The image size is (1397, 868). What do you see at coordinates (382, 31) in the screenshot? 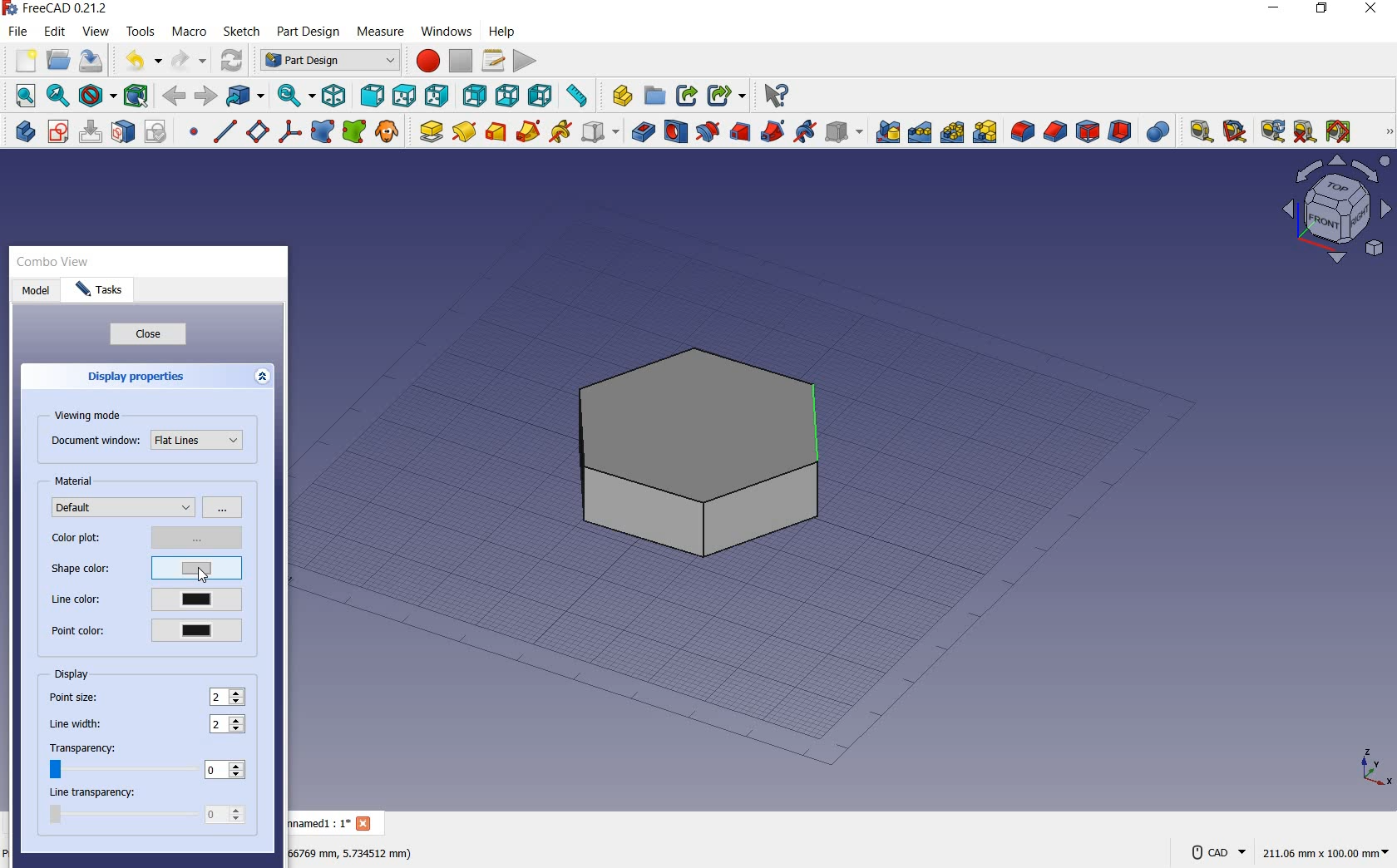
I see `measure` at bounding box center [382, 31].